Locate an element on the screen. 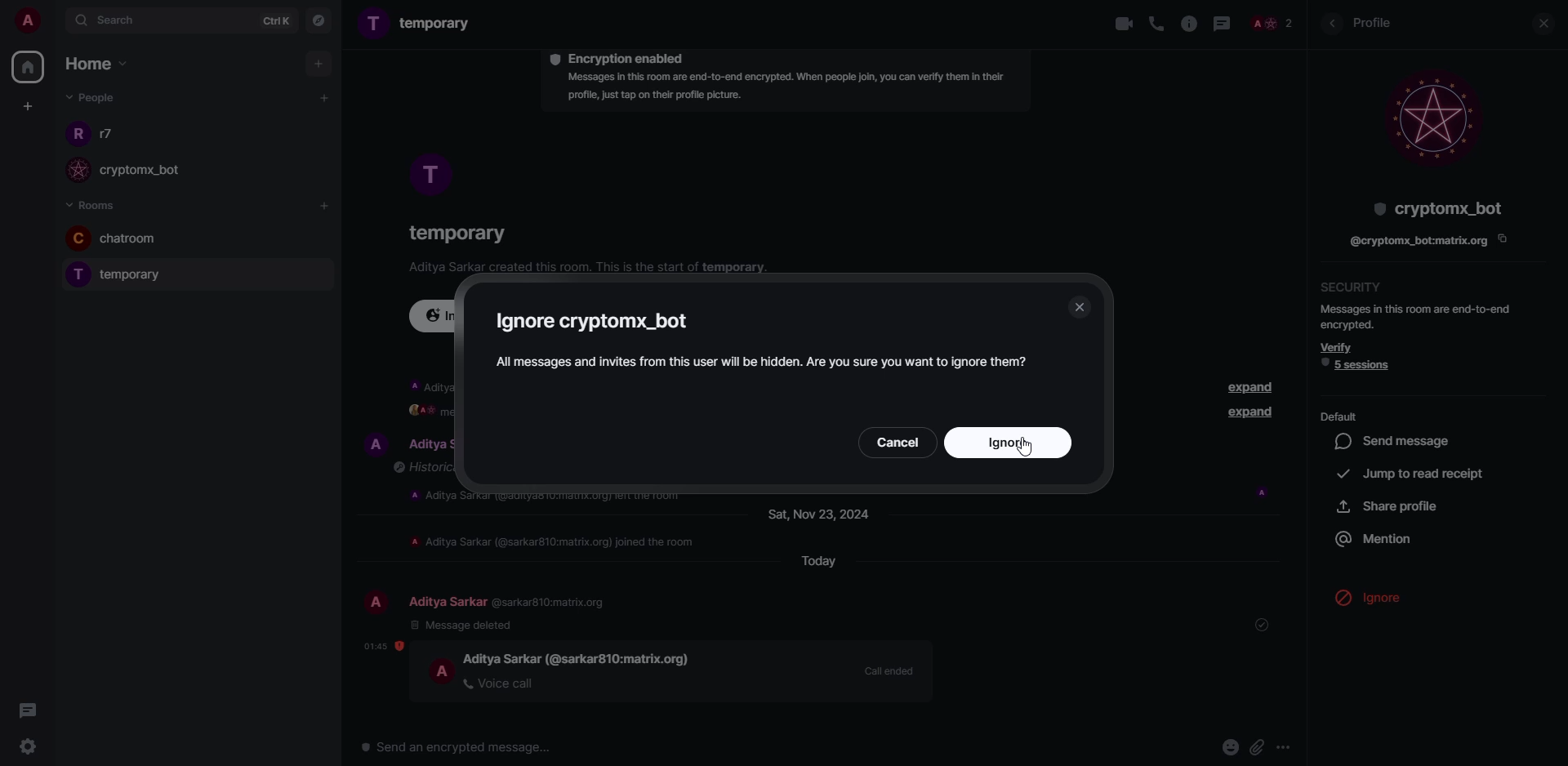  text is located at coordinates (426, 414).